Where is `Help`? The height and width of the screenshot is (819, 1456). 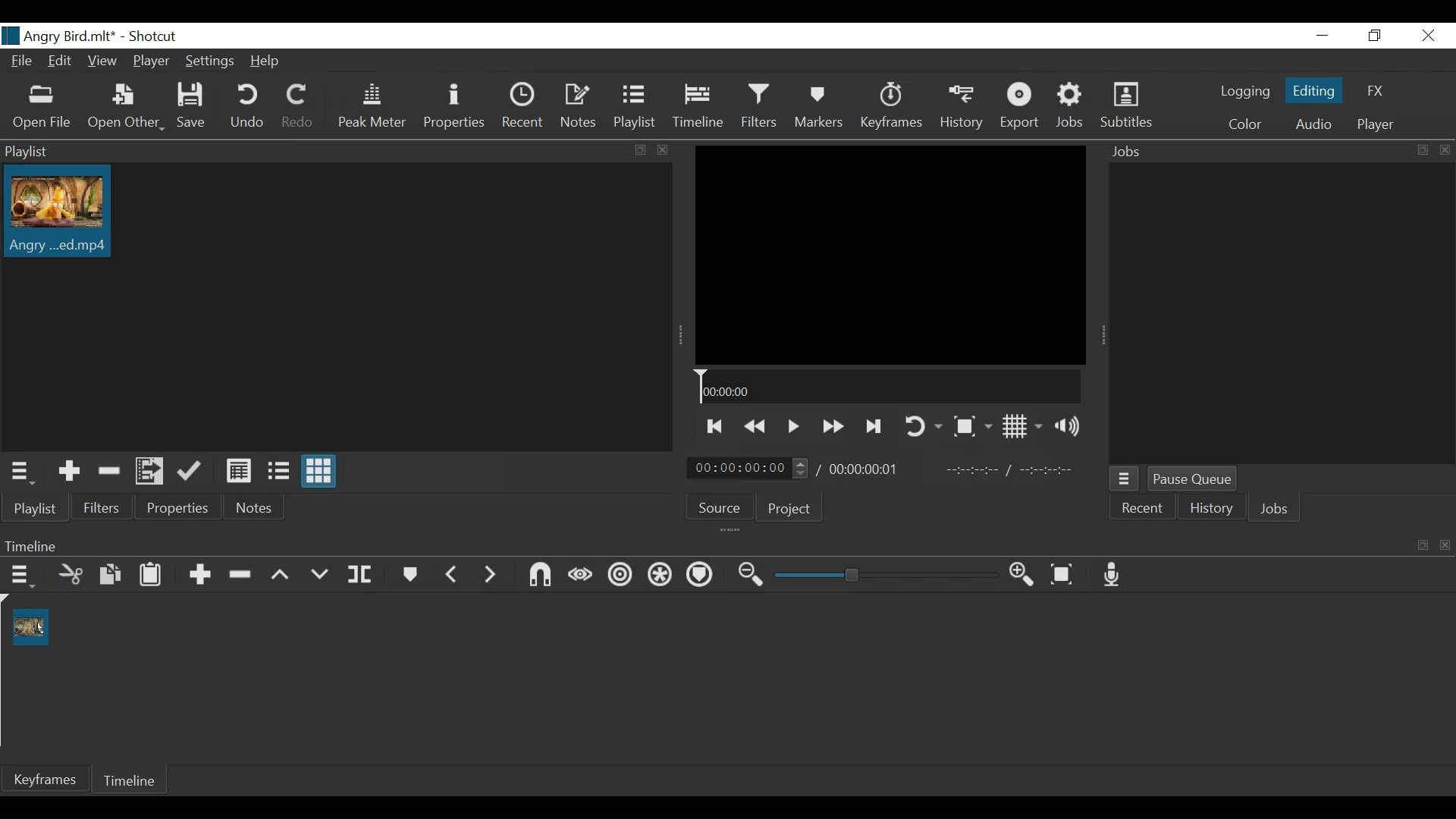 Help is located at coordinates (263, 61).